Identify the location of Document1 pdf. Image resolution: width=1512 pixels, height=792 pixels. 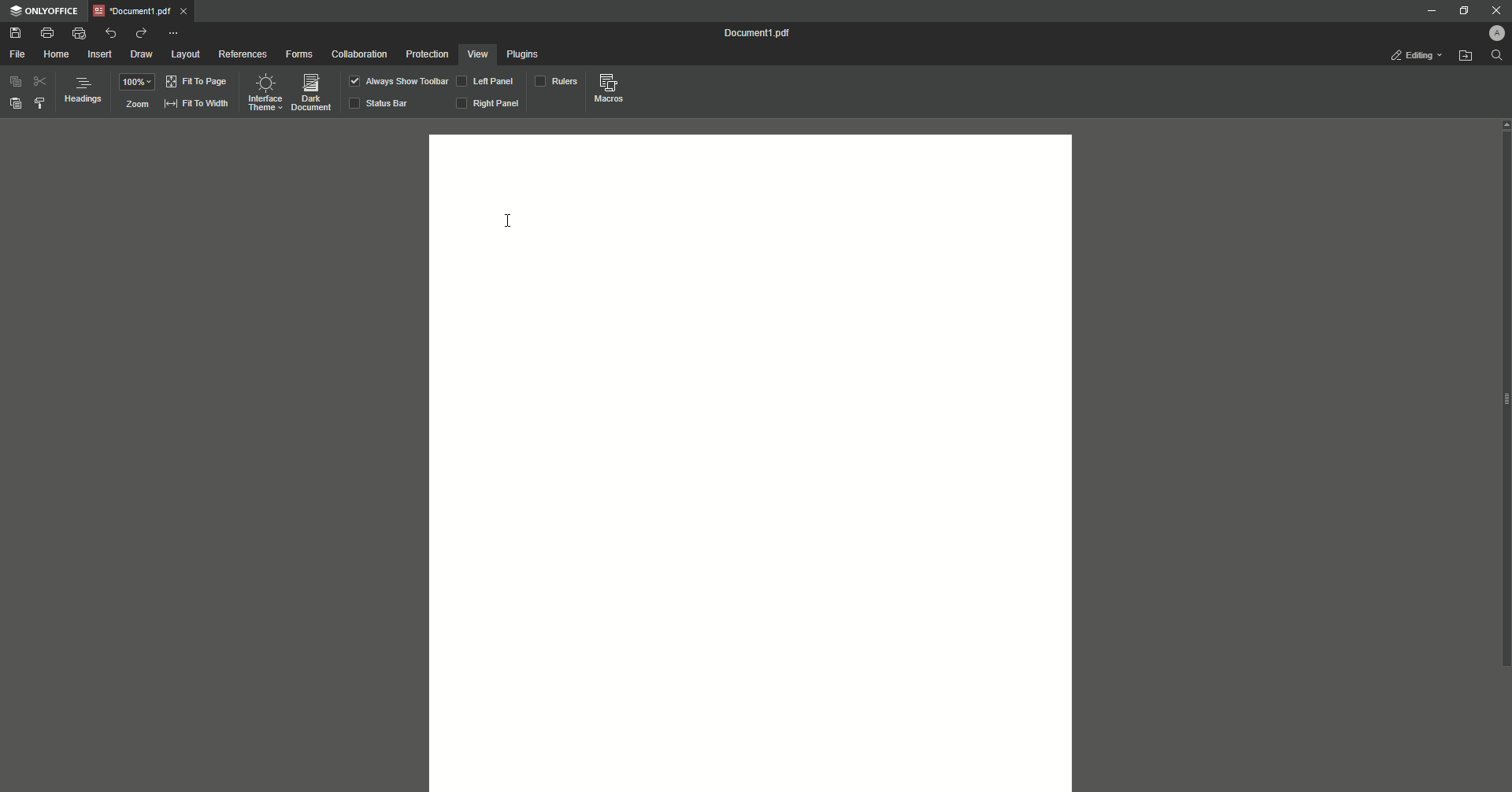
(139, 11).